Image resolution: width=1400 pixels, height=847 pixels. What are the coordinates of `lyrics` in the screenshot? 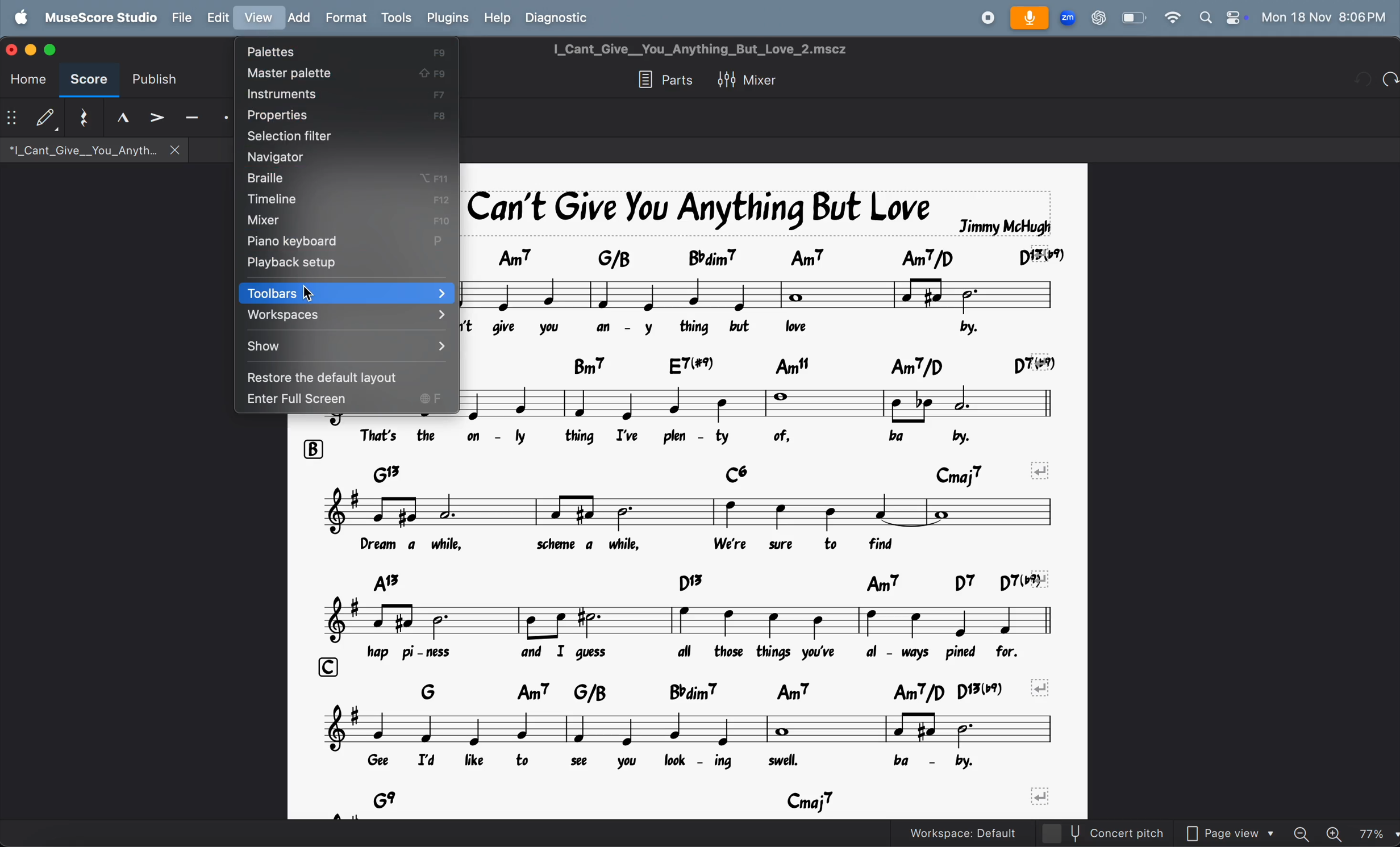 It's located at (696, 437).